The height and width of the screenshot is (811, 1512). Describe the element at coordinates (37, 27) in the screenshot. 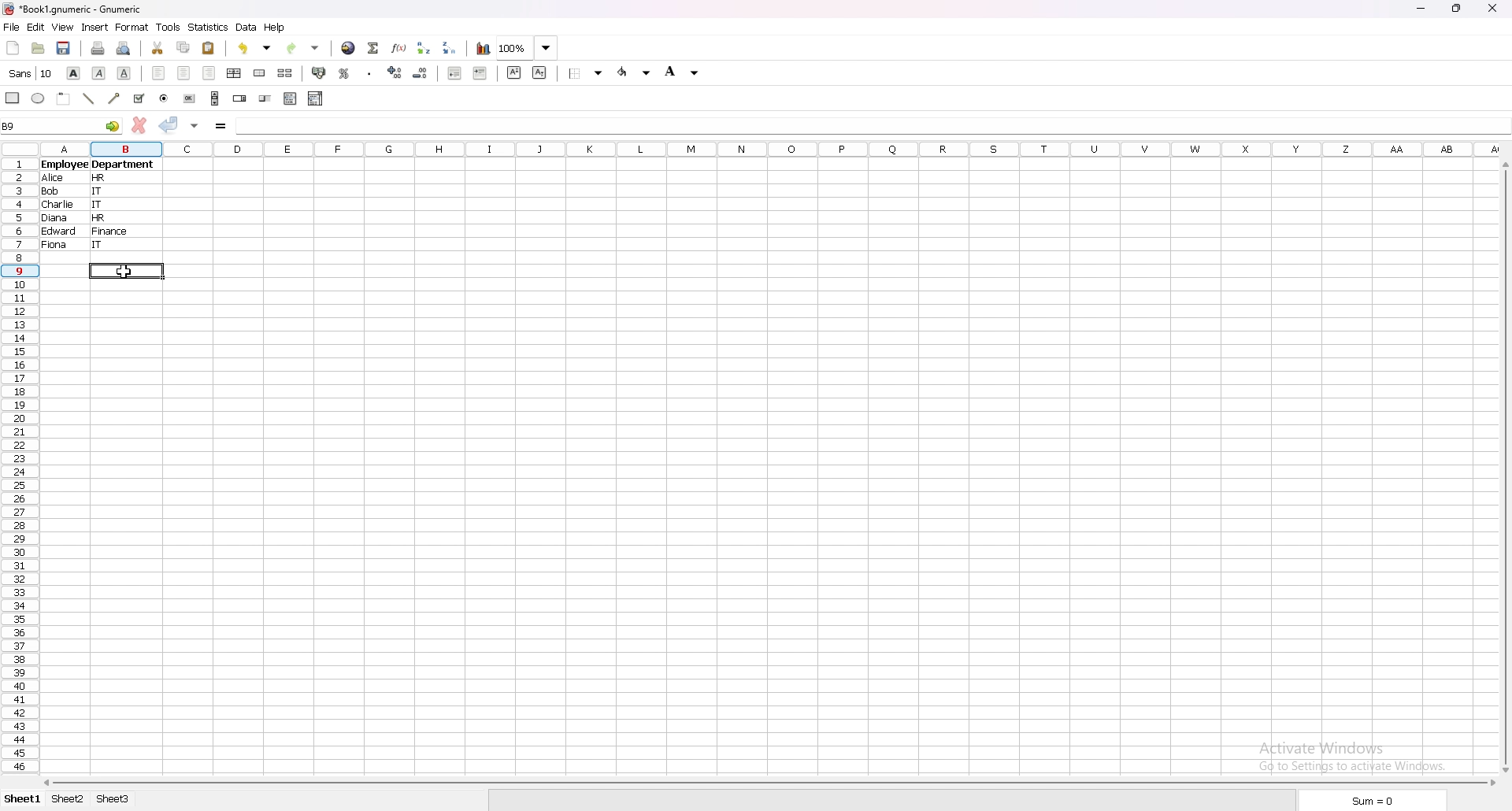

I see `edit` at that location.